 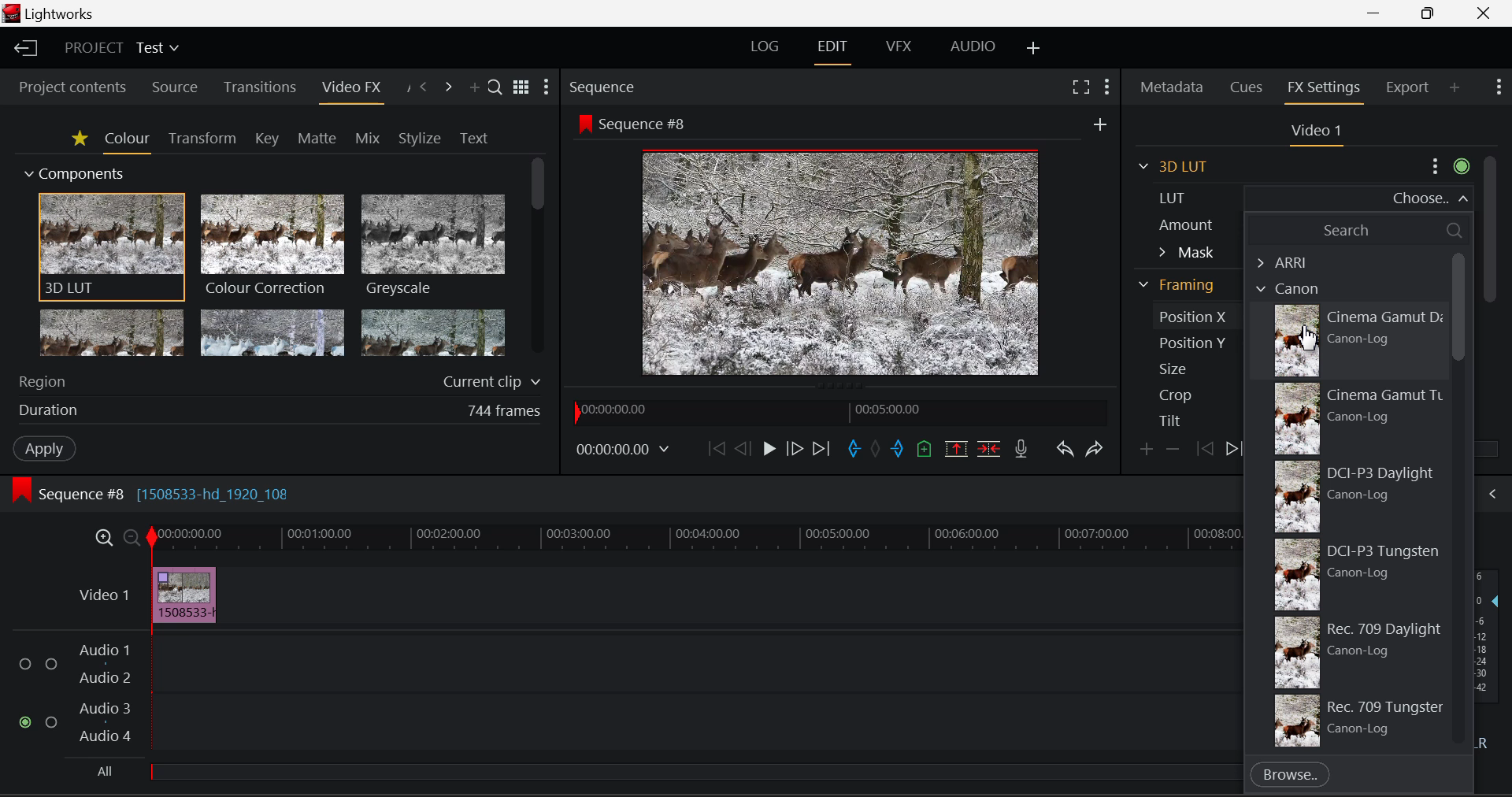 What do you see at coordinates (1189, 223) in the screenshot?
I see `Amount` at bounding box center [1189, 223].